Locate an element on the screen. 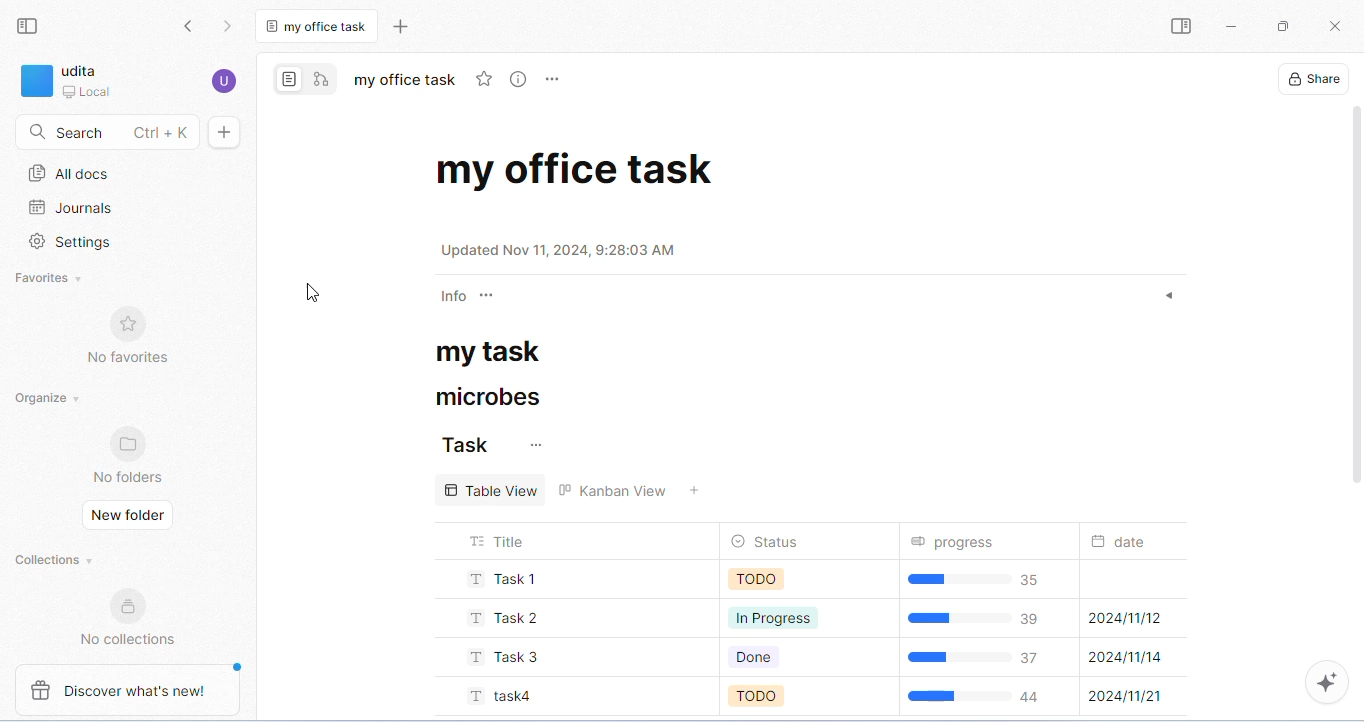  discover what's new is located at coordinates (134, 688).